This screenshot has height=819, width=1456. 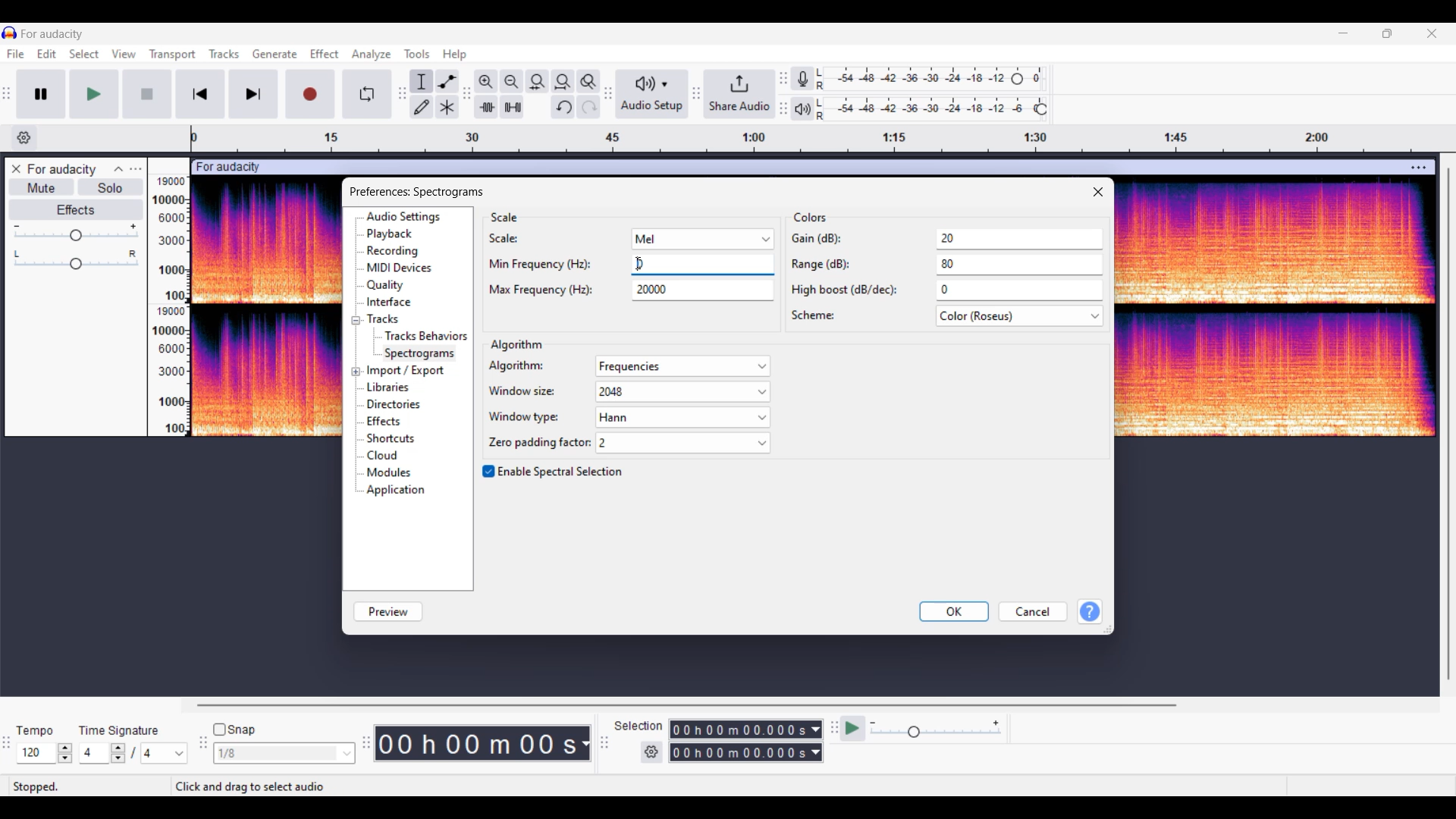 I want to click on Close interface, so click(x=1432, y=33).